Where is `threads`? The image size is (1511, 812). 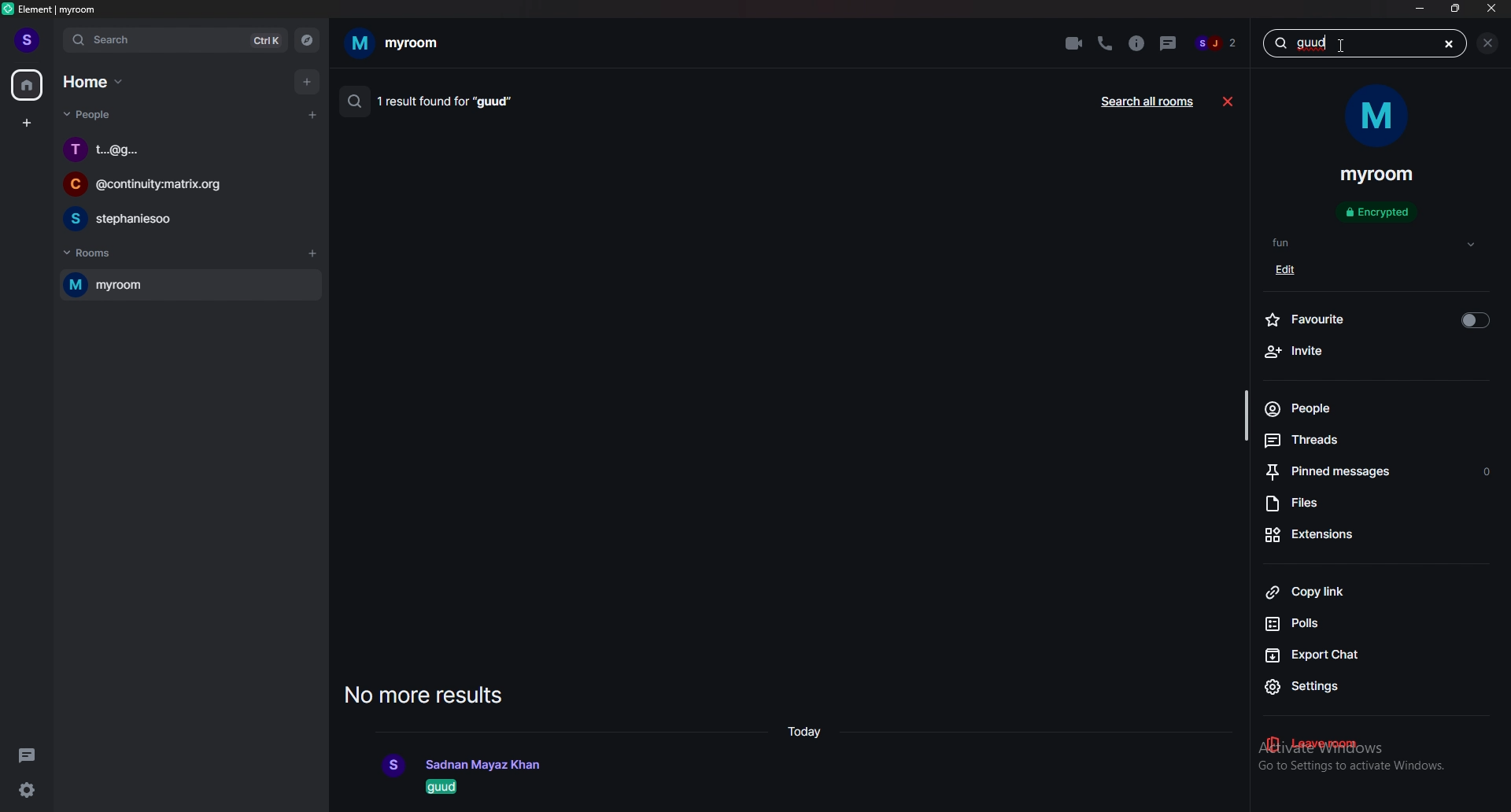 threads is located at coordinates (1347, 441).